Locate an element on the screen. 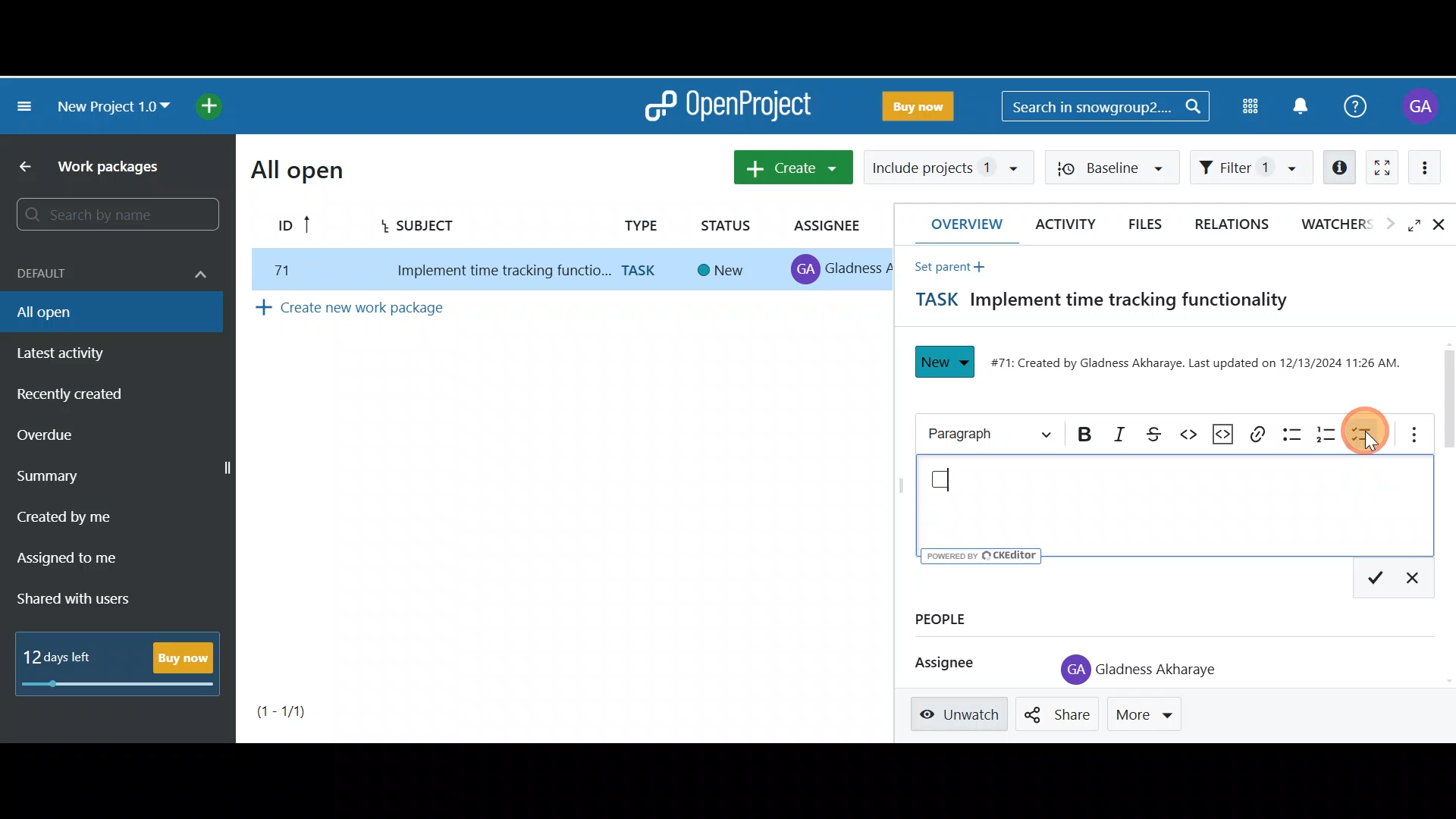 The height and width of the screenshot is (819, 1456). Strikethrough is located at coordinates (1160, 434).